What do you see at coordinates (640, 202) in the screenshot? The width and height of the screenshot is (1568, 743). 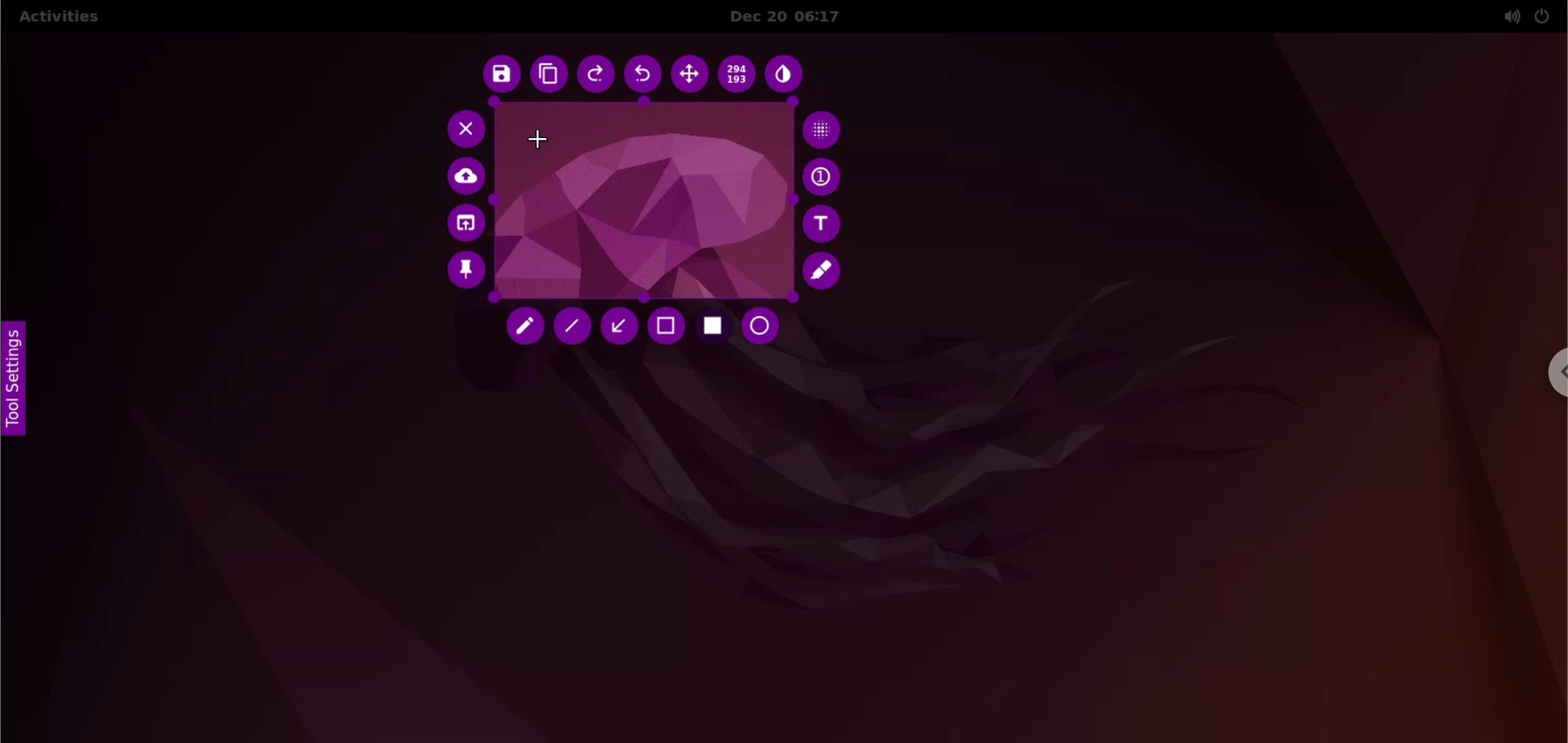 I see `select capture area` at bounding box center [640, 202].